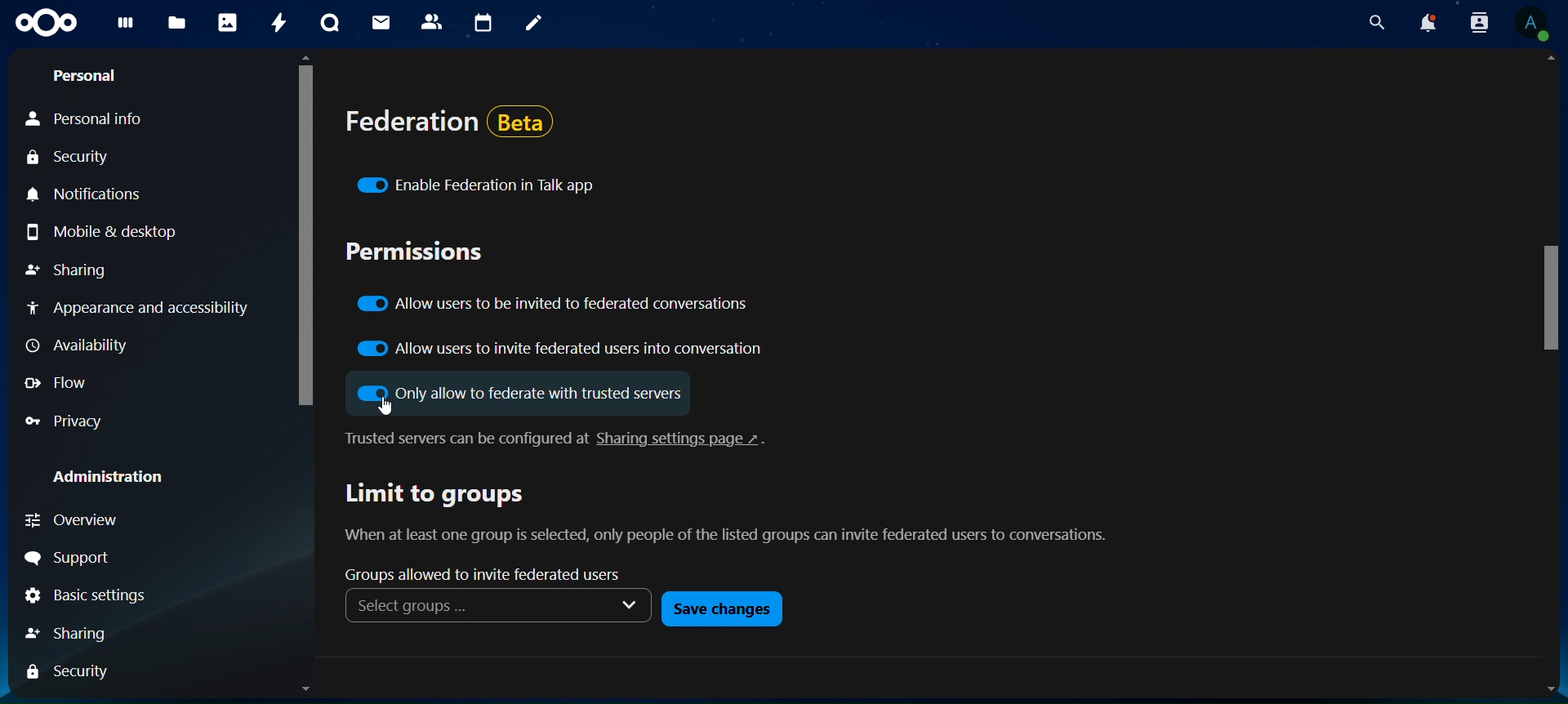 This screenshot has height=704, width=1568. What do you see at coordinates (494, 591) in the screenshot?
I see `groups allowed to invite federated users` at bounding box center [494, 591].